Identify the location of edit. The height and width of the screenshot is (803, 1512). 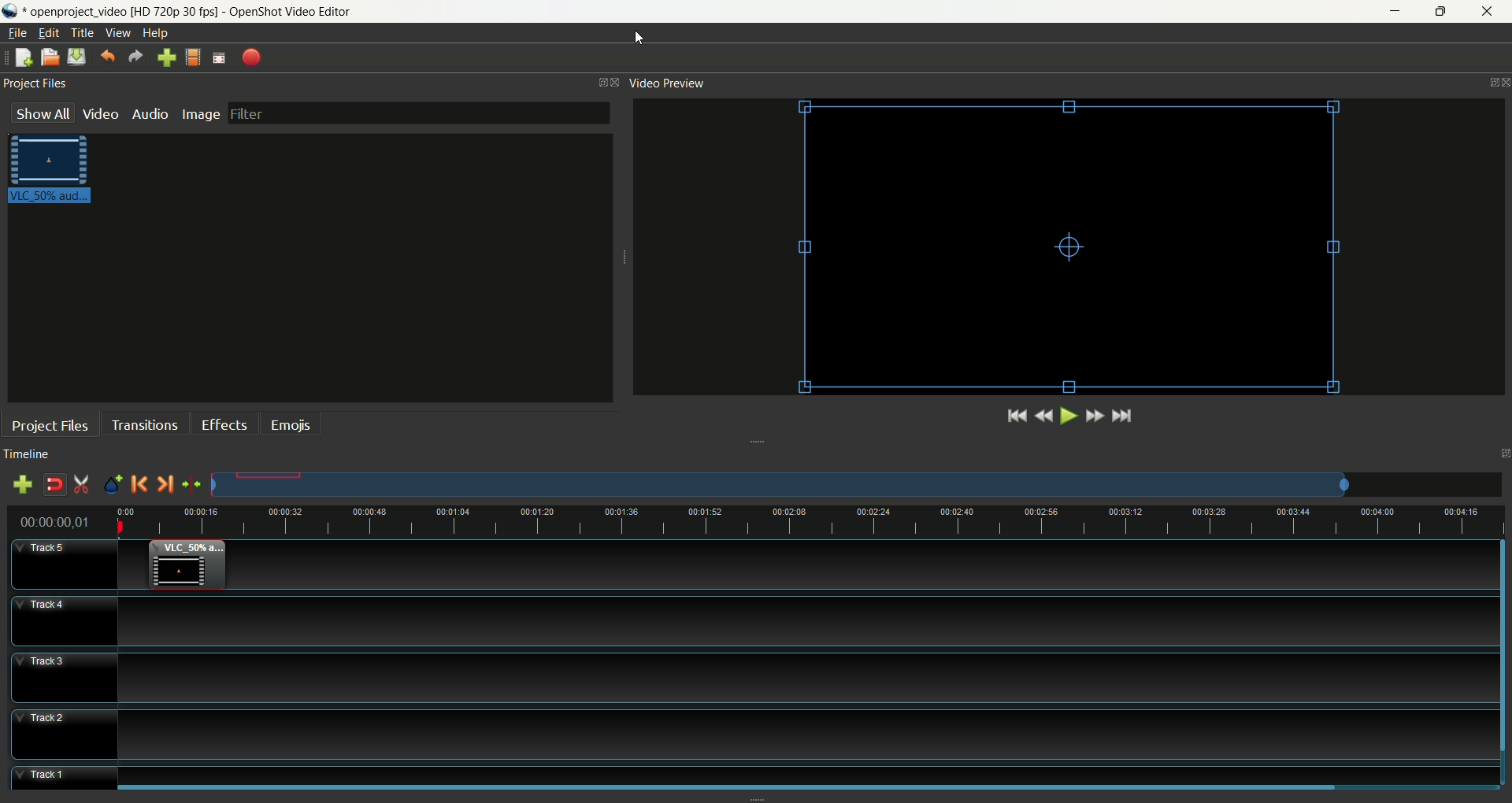
(48, 32).